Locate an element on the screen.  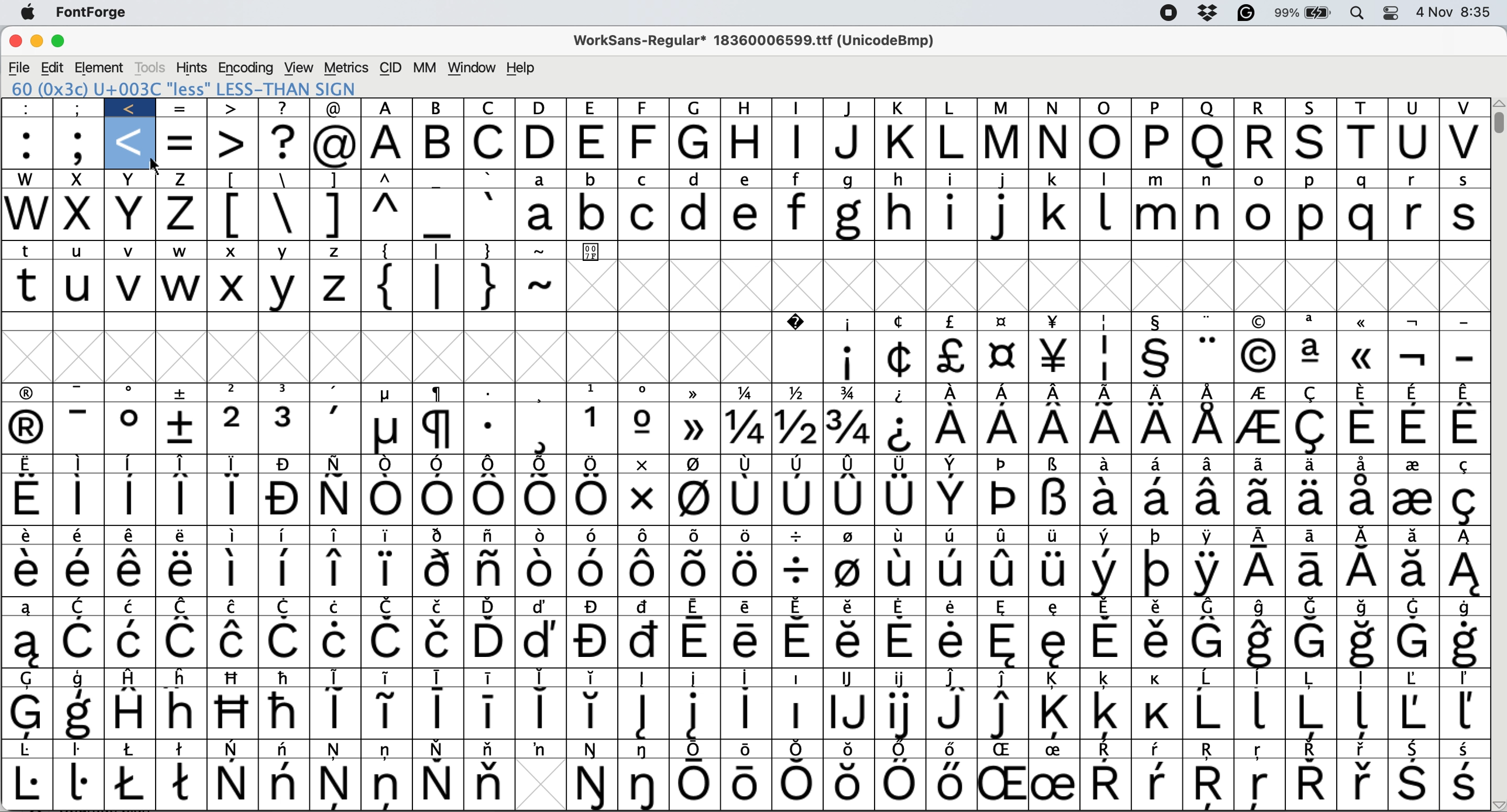
p is located at coordinates (1155, 108).